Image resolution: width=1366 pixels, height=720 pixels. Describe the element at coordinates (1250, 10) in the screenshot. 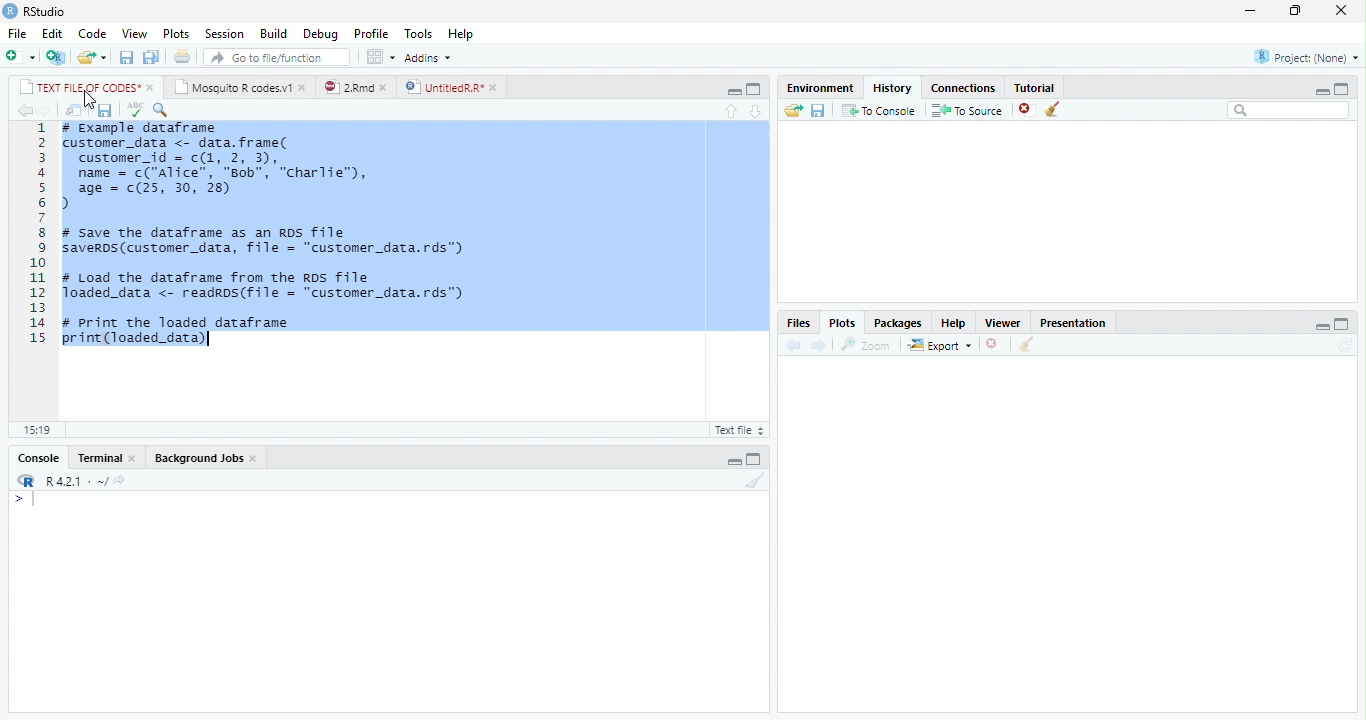

I see `minimize` at that location.